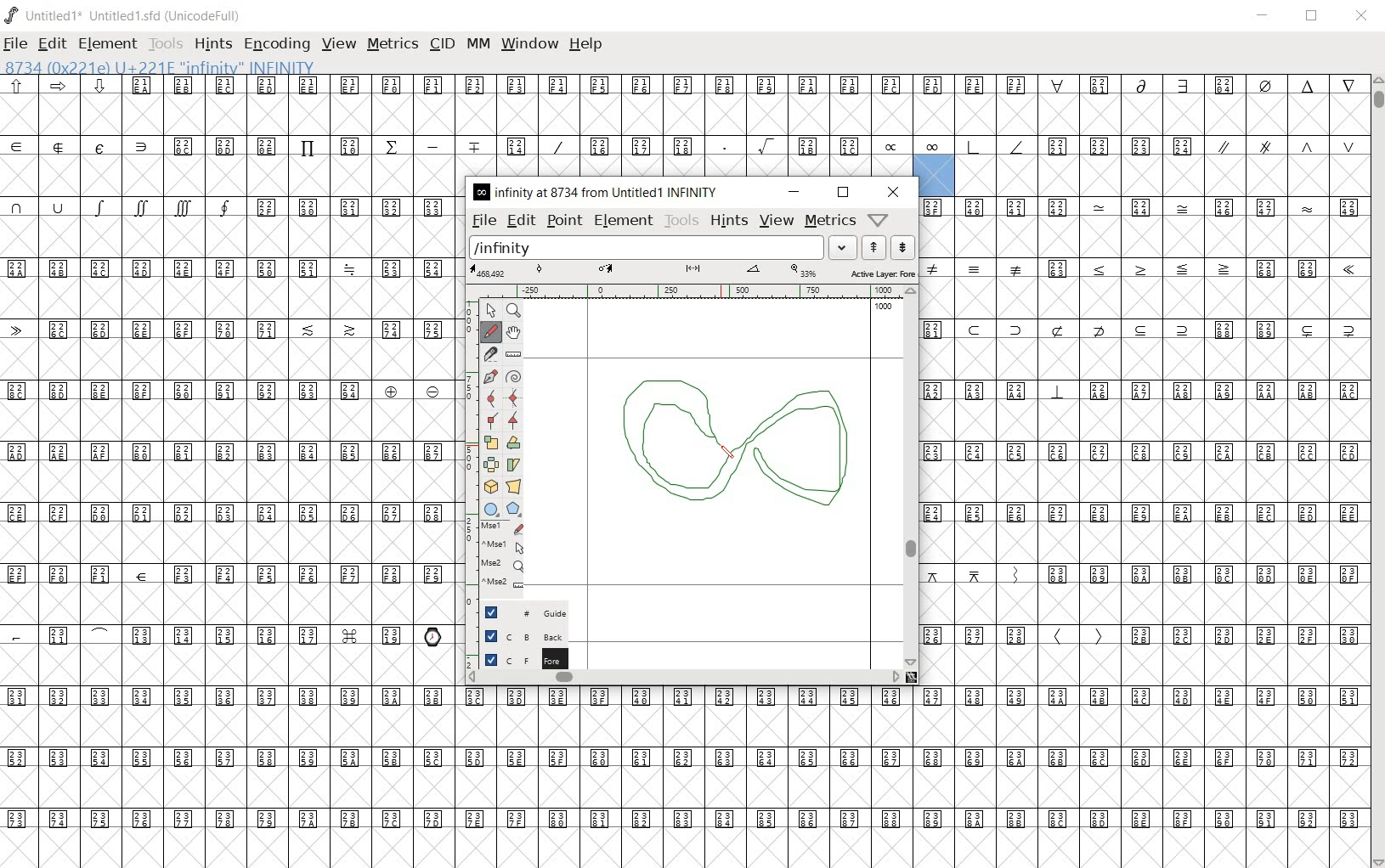 Image resolution: width=1385 pixels, height=868 pixels. Describe the element at coordinates (483, 220) in the screenshot. I see `file` at that location.